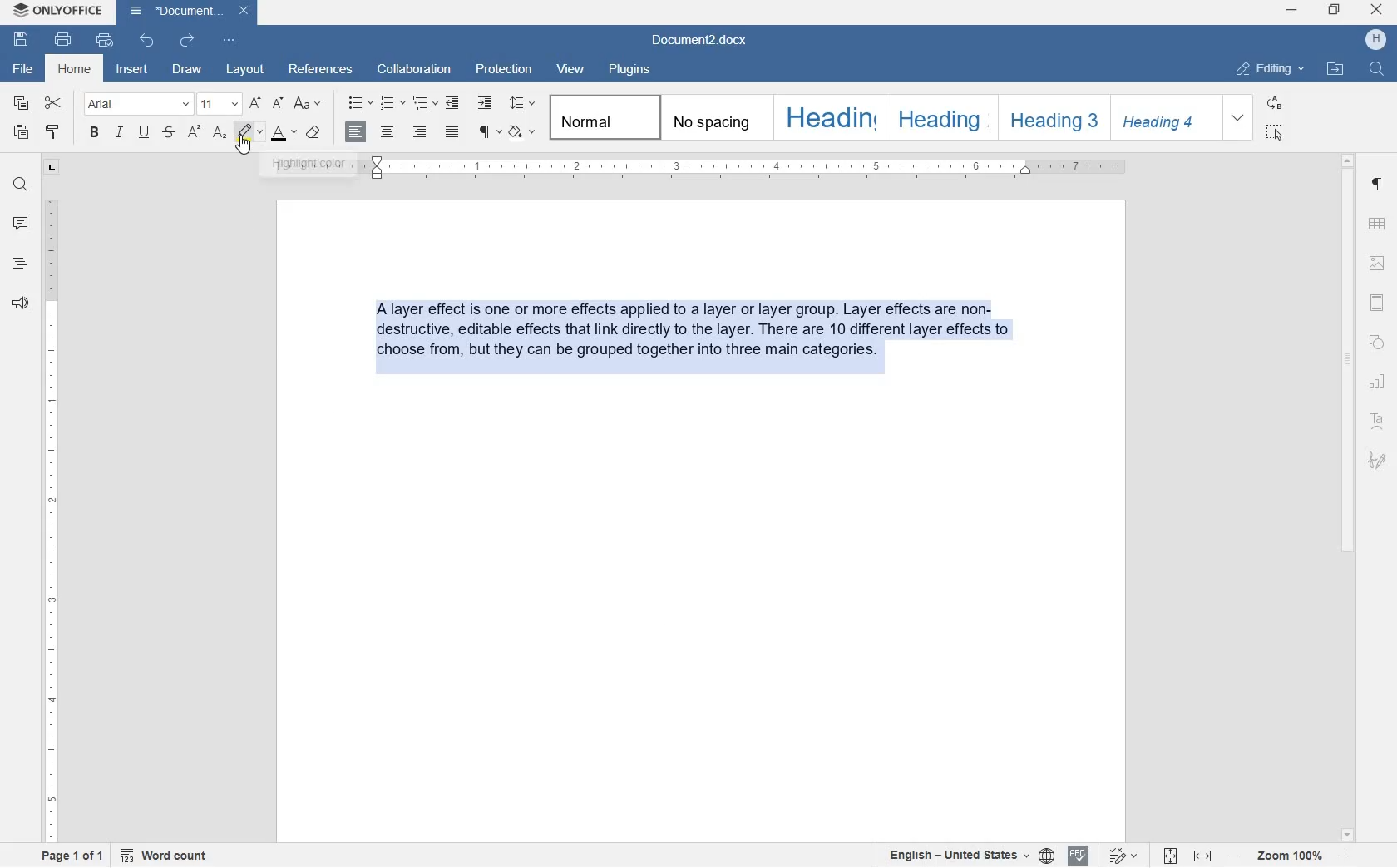 The height and width of the screenshot is (868, 1397). I want to click on PROTECTION, so click(502, 70).